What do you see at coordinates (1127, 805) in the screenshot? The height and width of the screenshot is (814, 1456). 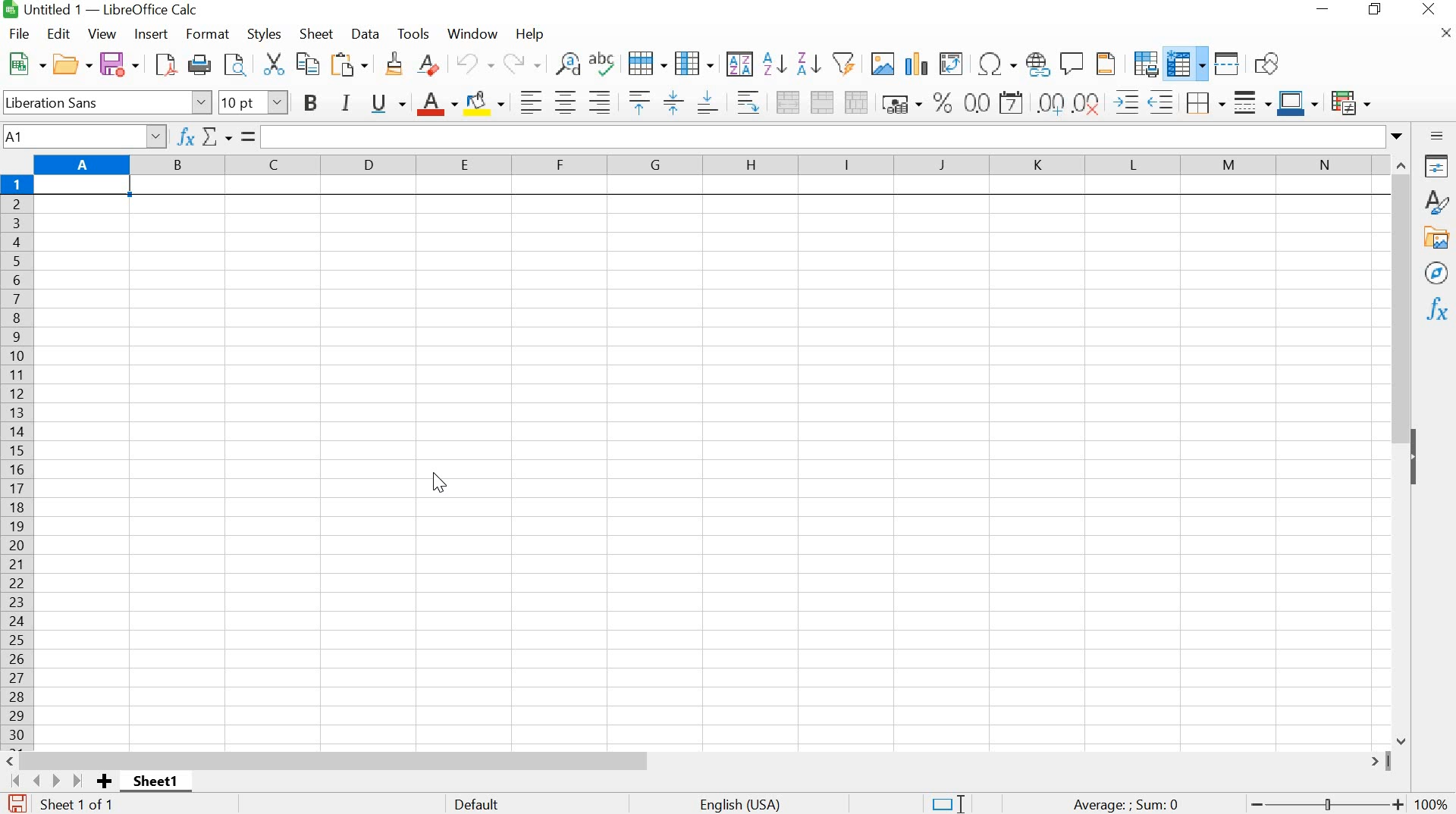 I see `FORMULA` at bounding box center [1127, 805].